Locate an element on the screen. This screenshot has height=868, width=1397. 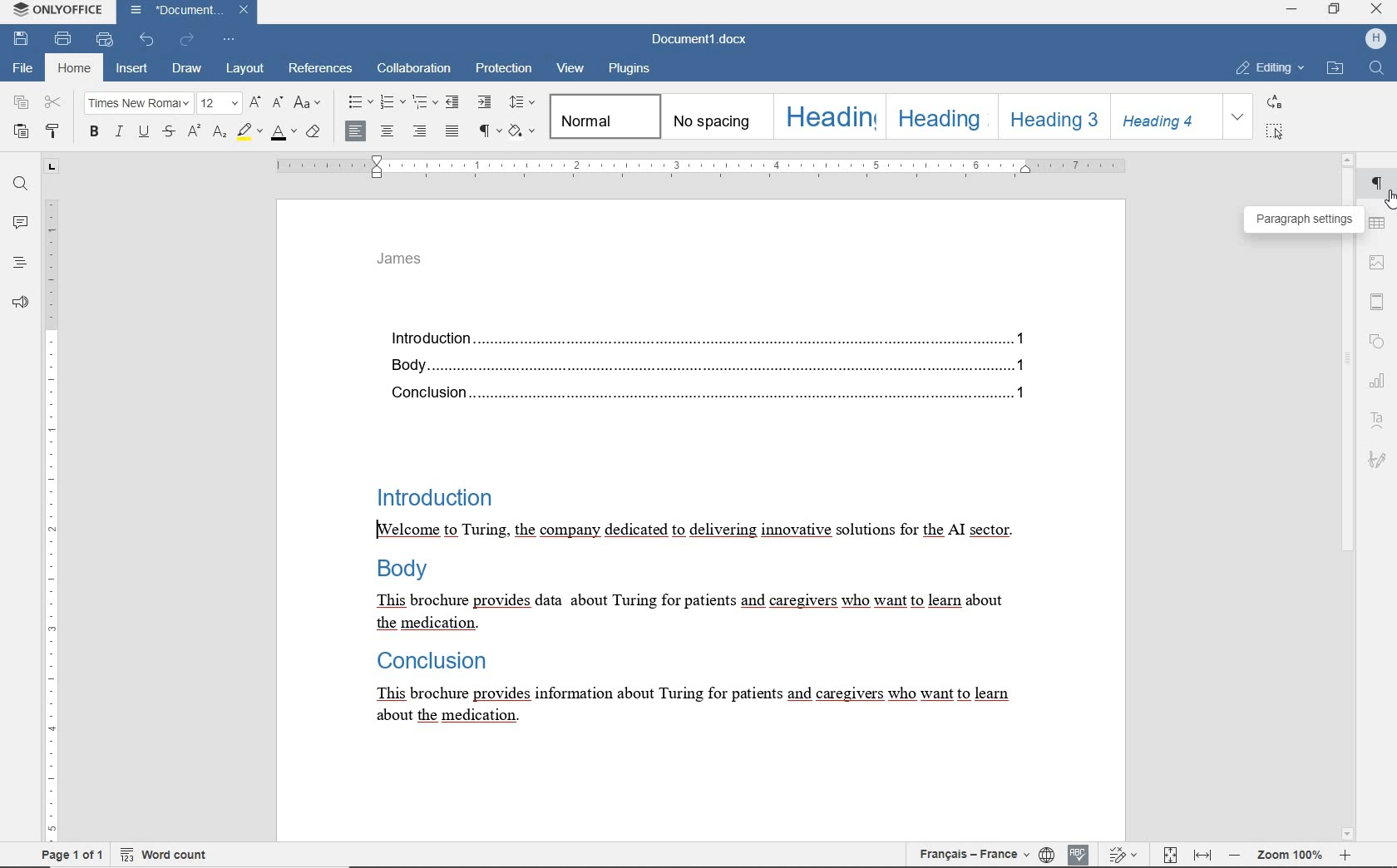
font is located at coordinates (138, 104).